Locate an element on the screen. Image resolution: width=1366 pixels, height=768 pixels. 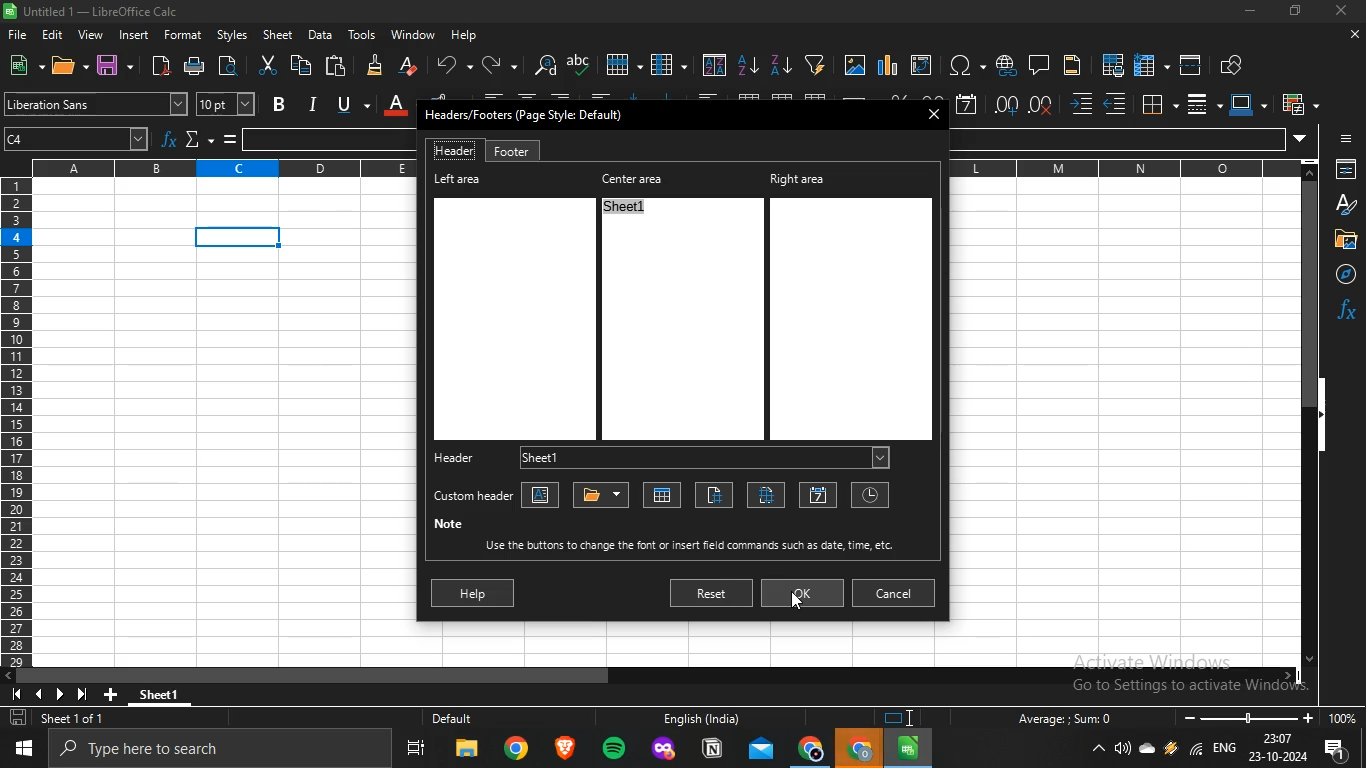
Untitled 1 — LibreOffice Calc is located at coordinates (94, 11).